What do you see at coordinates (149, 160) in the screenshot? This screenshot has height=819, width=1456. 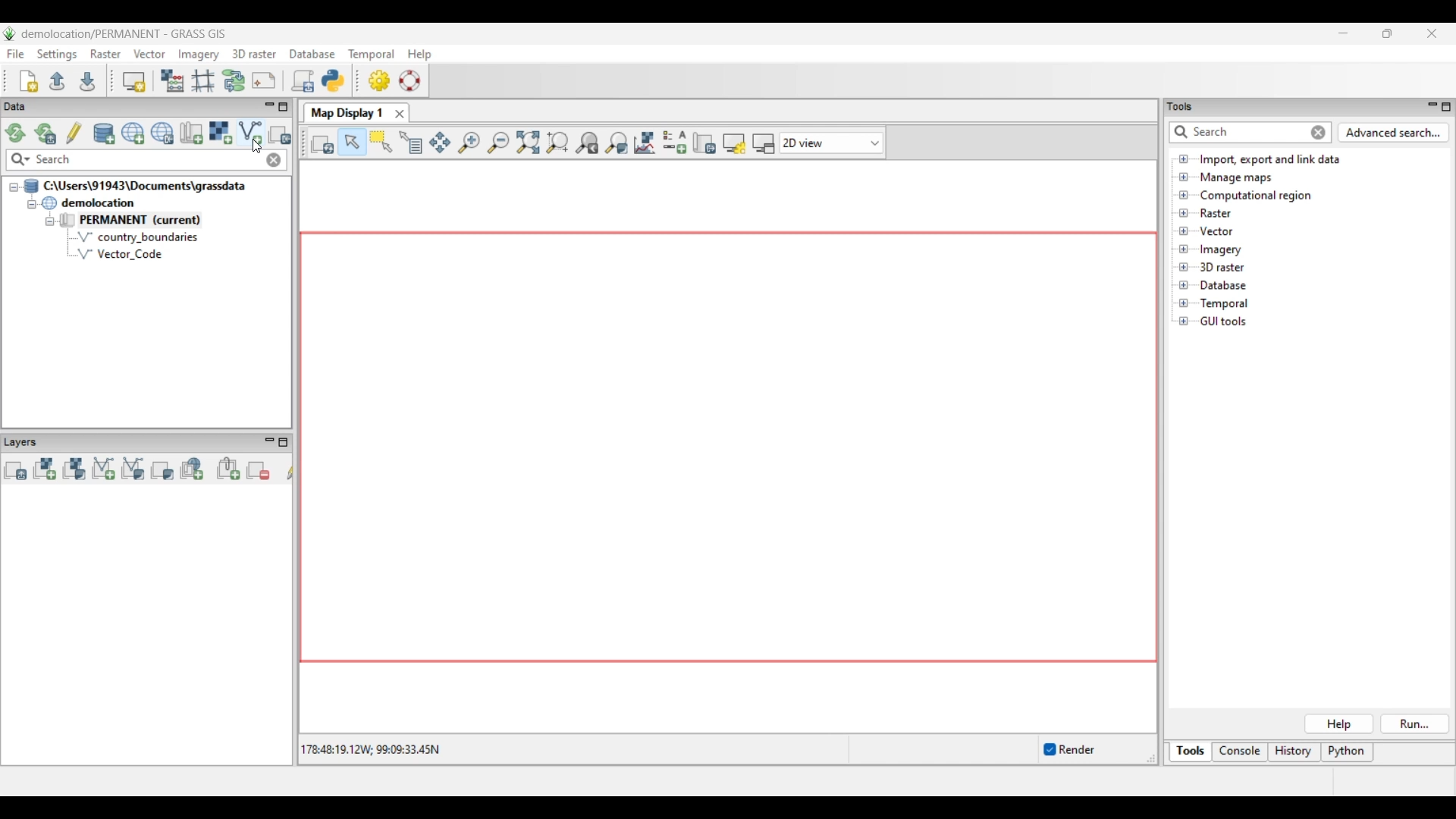 I see `Type in map for quick search` at bounding box center [149, 160].